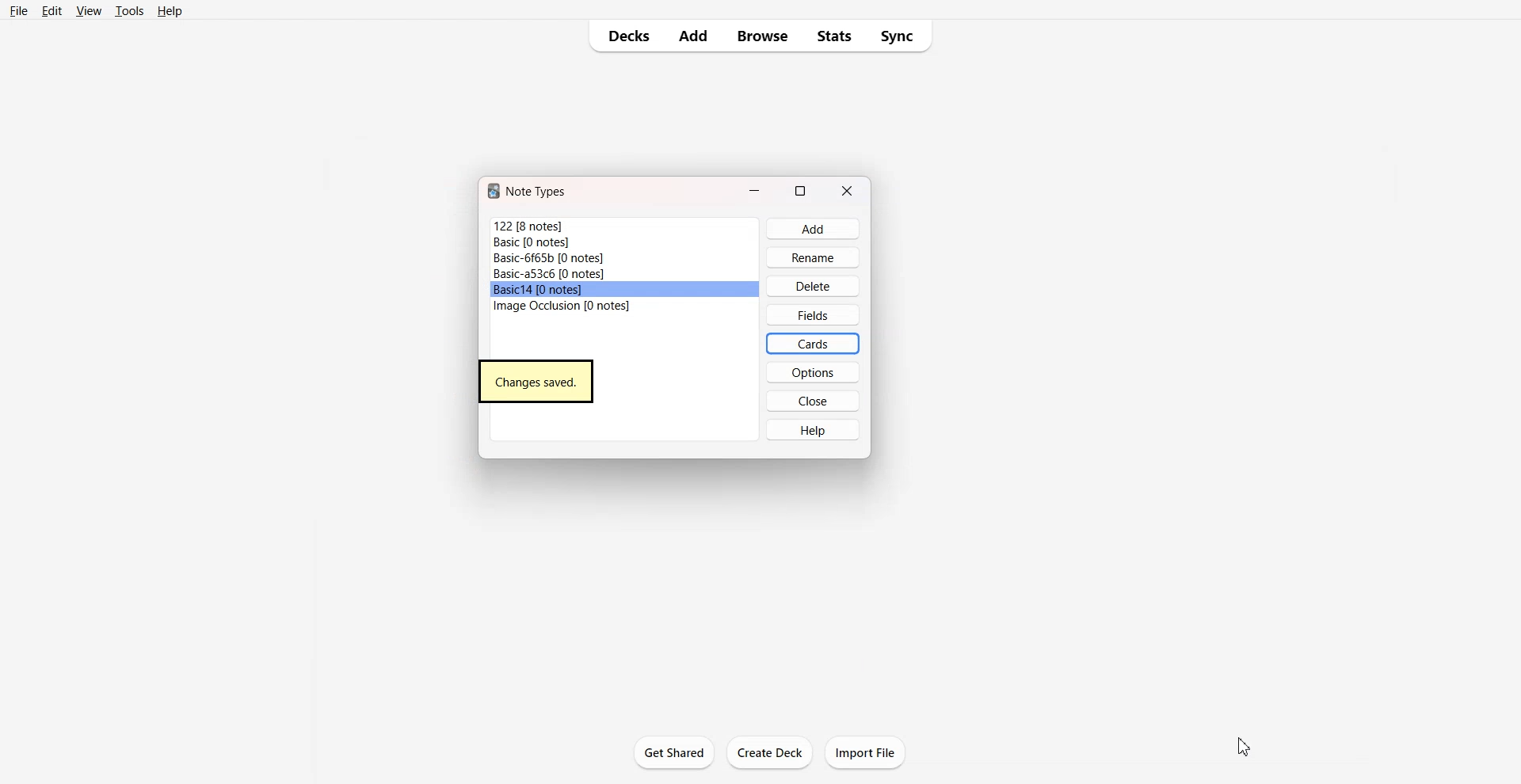 The image size is (1521, 784). I want to click on Help, so click(811, 429).